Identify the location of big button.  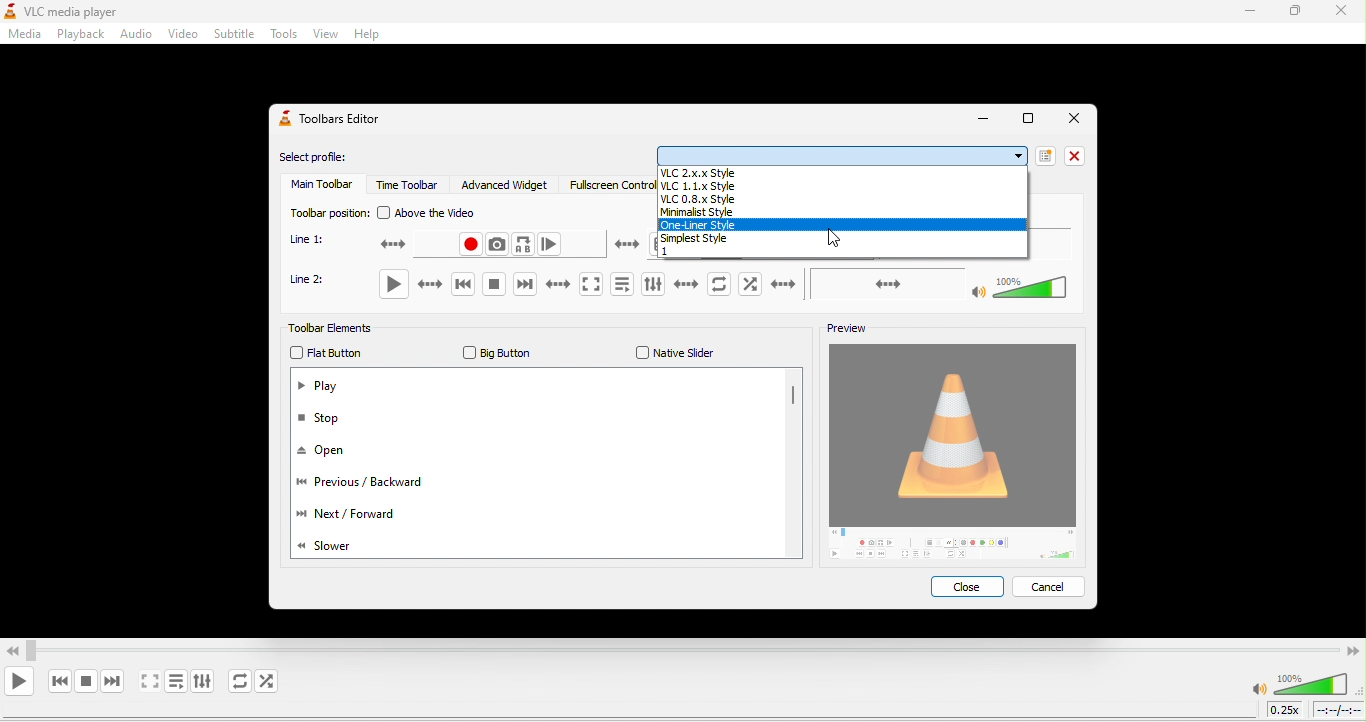
(500, 351).